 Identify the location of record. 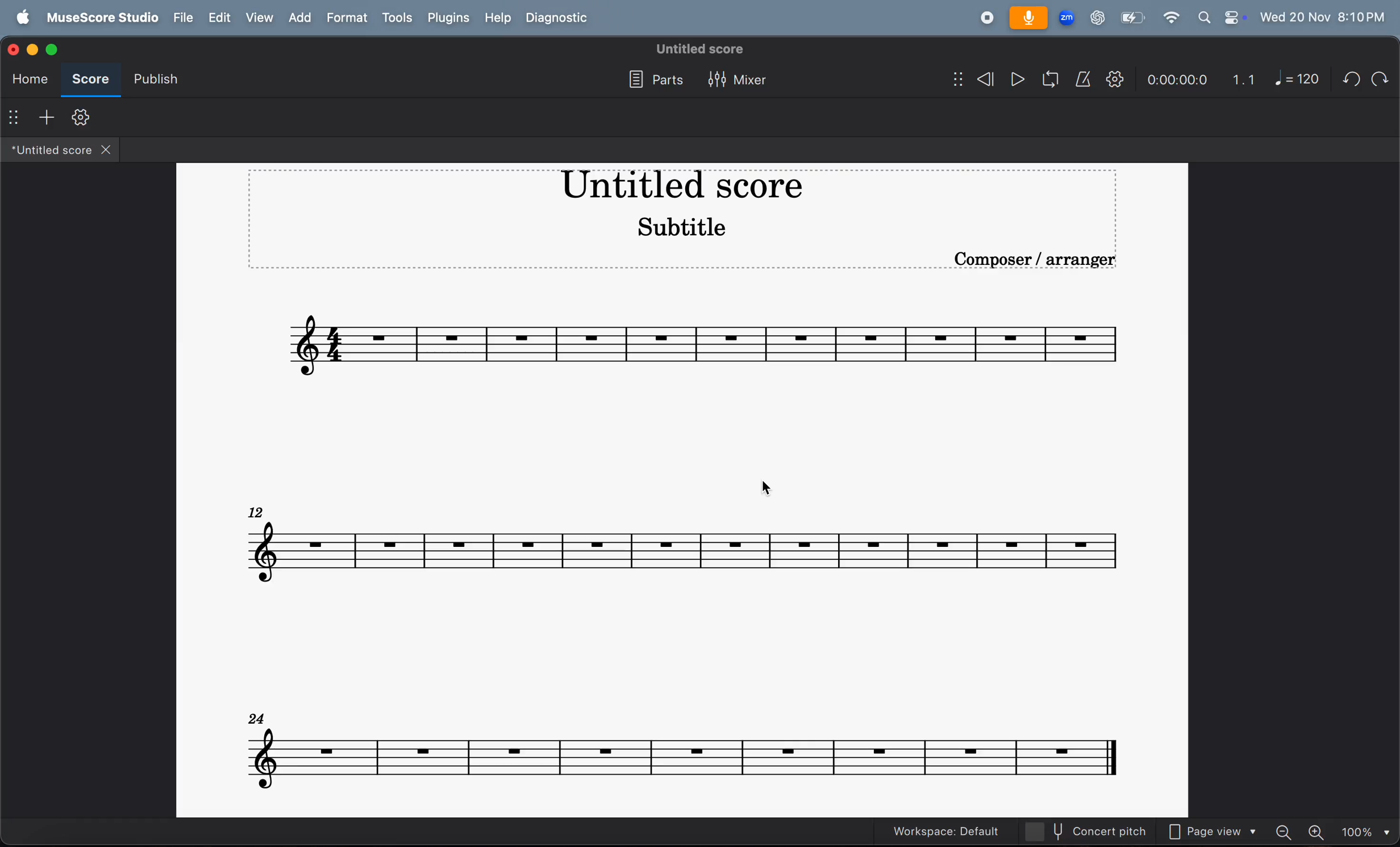
(982, 19).